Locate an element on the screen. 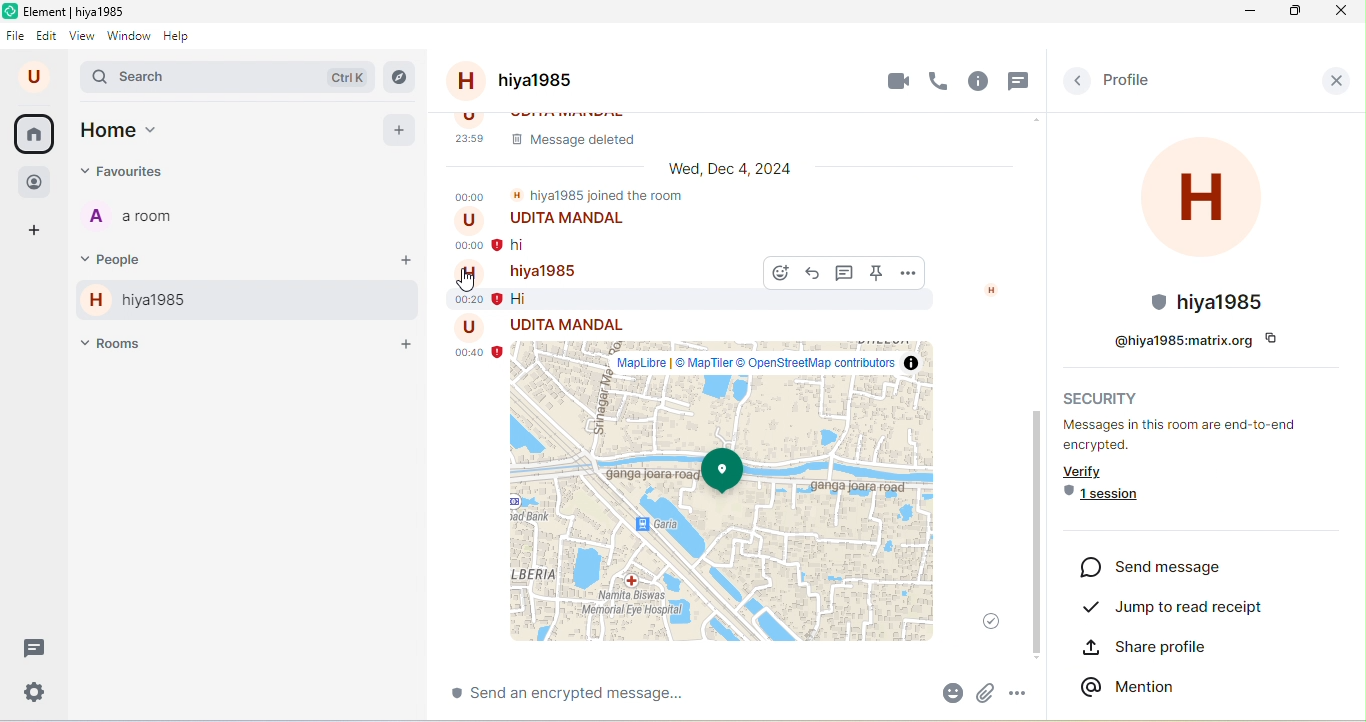 This screenshot has height=722, width=1366. H is located at coordinates (994, 291).